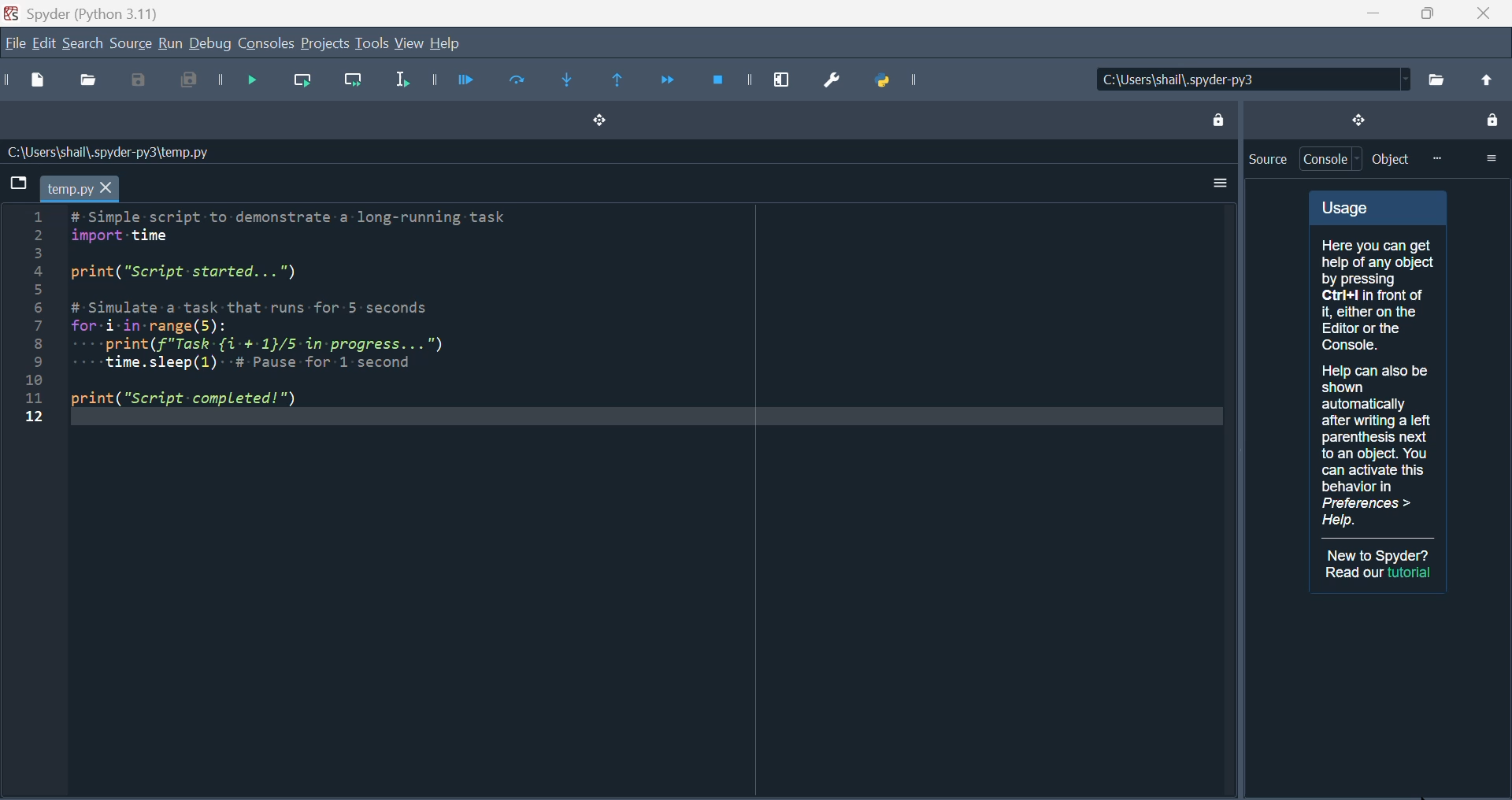 The image size is (1512, 800). I want to click on Spyder, so click(95, 12).